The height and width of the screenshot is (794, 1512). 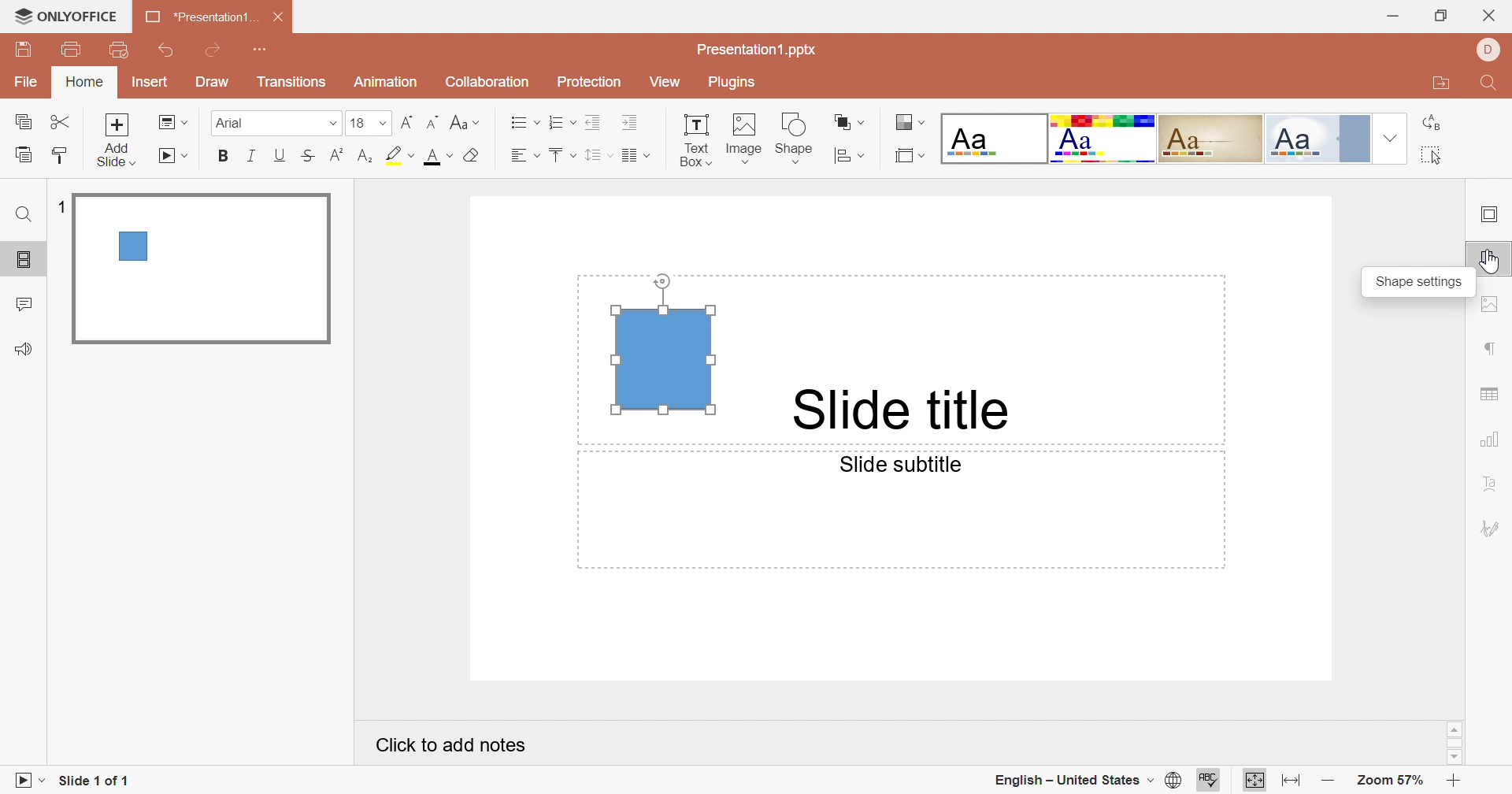 I want to click on Increment font size, so click(x=403, y=125).